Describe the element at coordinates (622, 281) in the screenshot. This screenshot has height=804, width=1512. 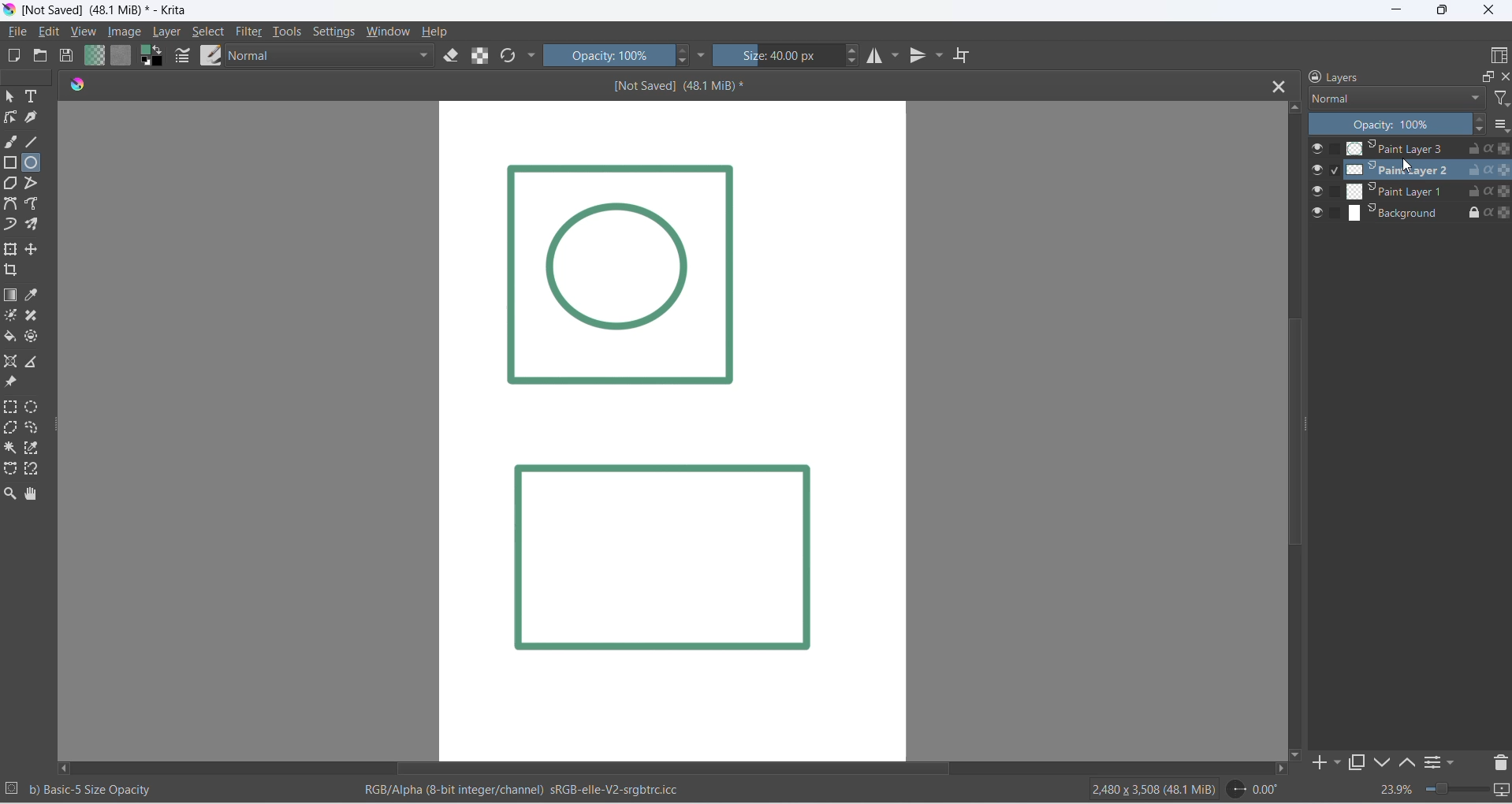
I see `Image Layer 1` at that location.